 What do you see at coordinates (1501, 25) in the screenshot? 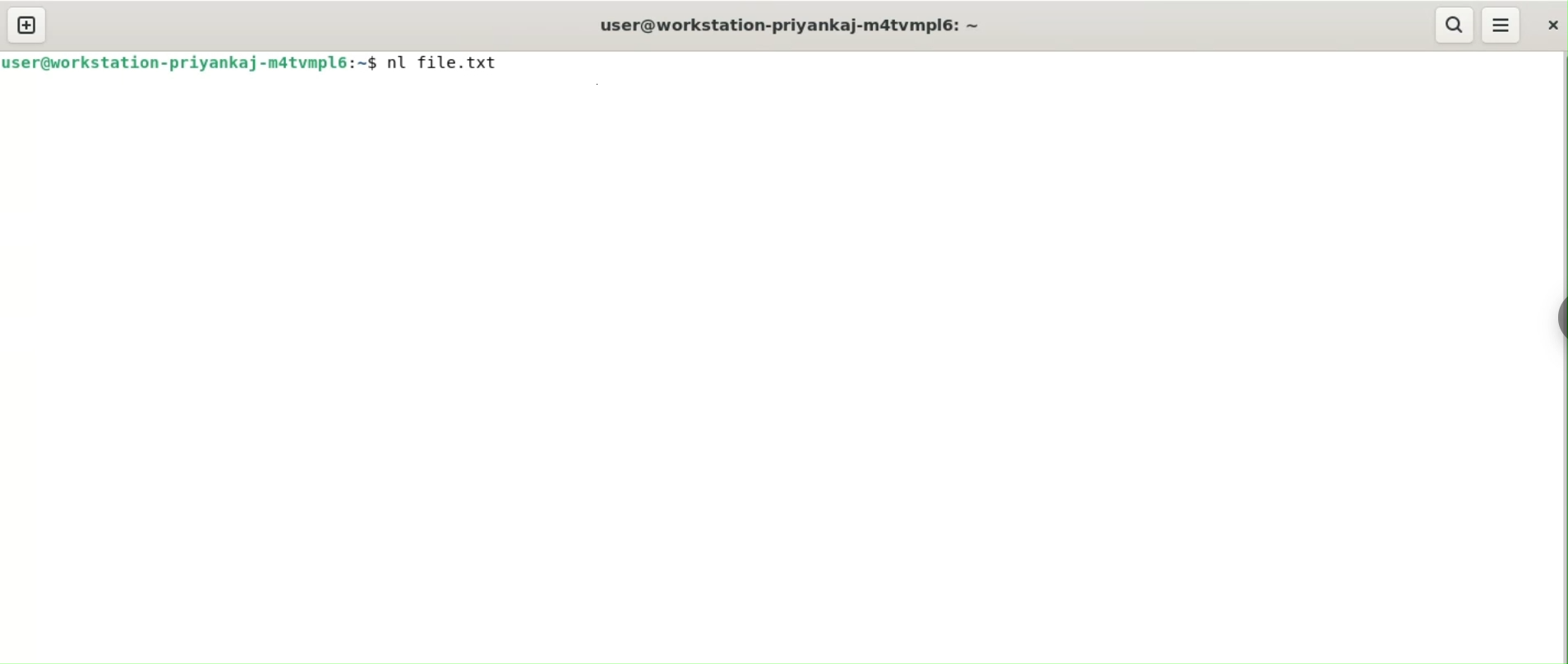
I see `menu` at bounding box center [1501, 25].